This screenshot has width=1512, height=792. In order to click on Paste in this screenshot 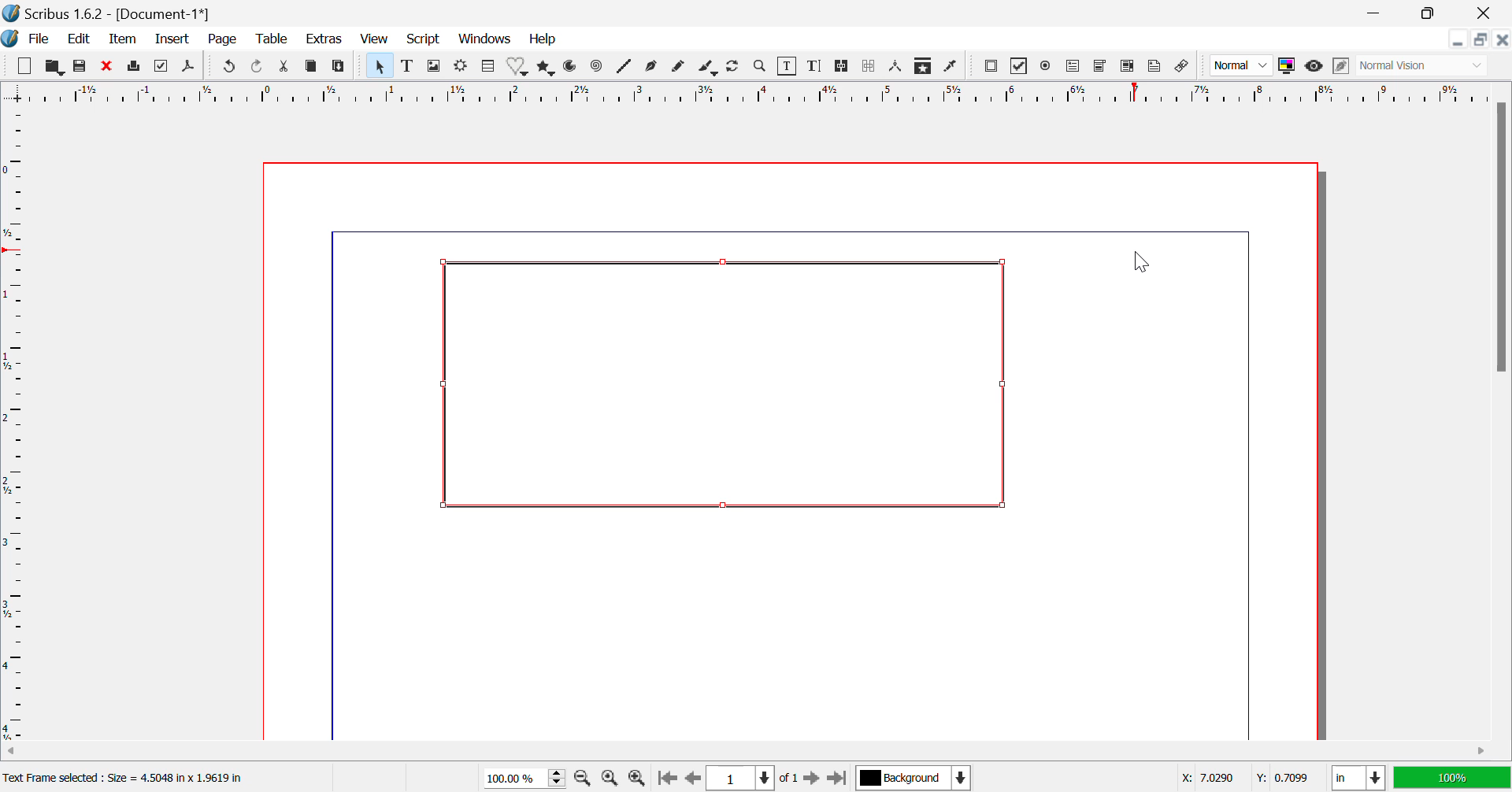, I will do `click(339, 68)`.